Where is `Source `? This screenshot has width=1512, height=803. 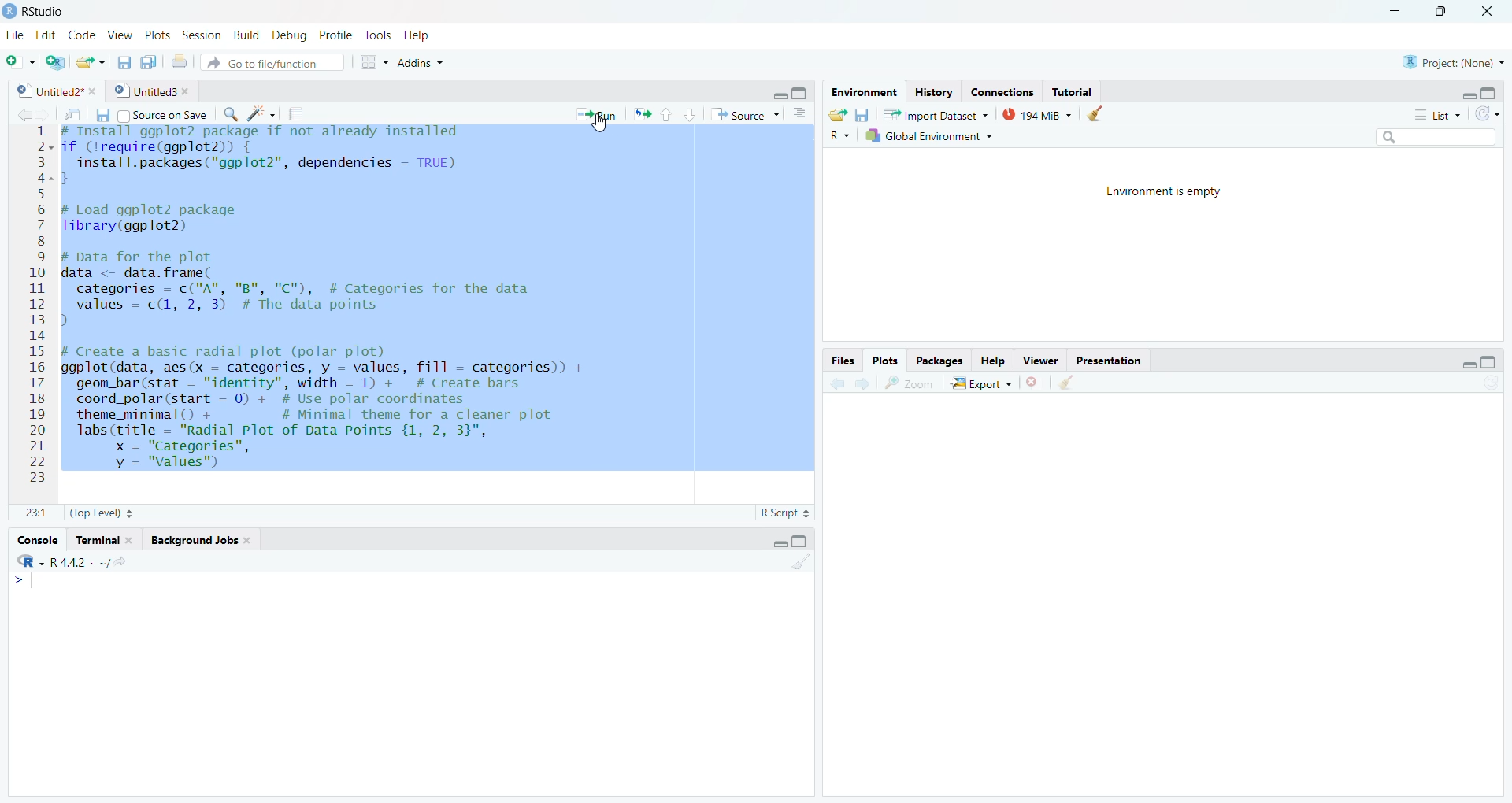 Source  is located at coordinates (746, 115).